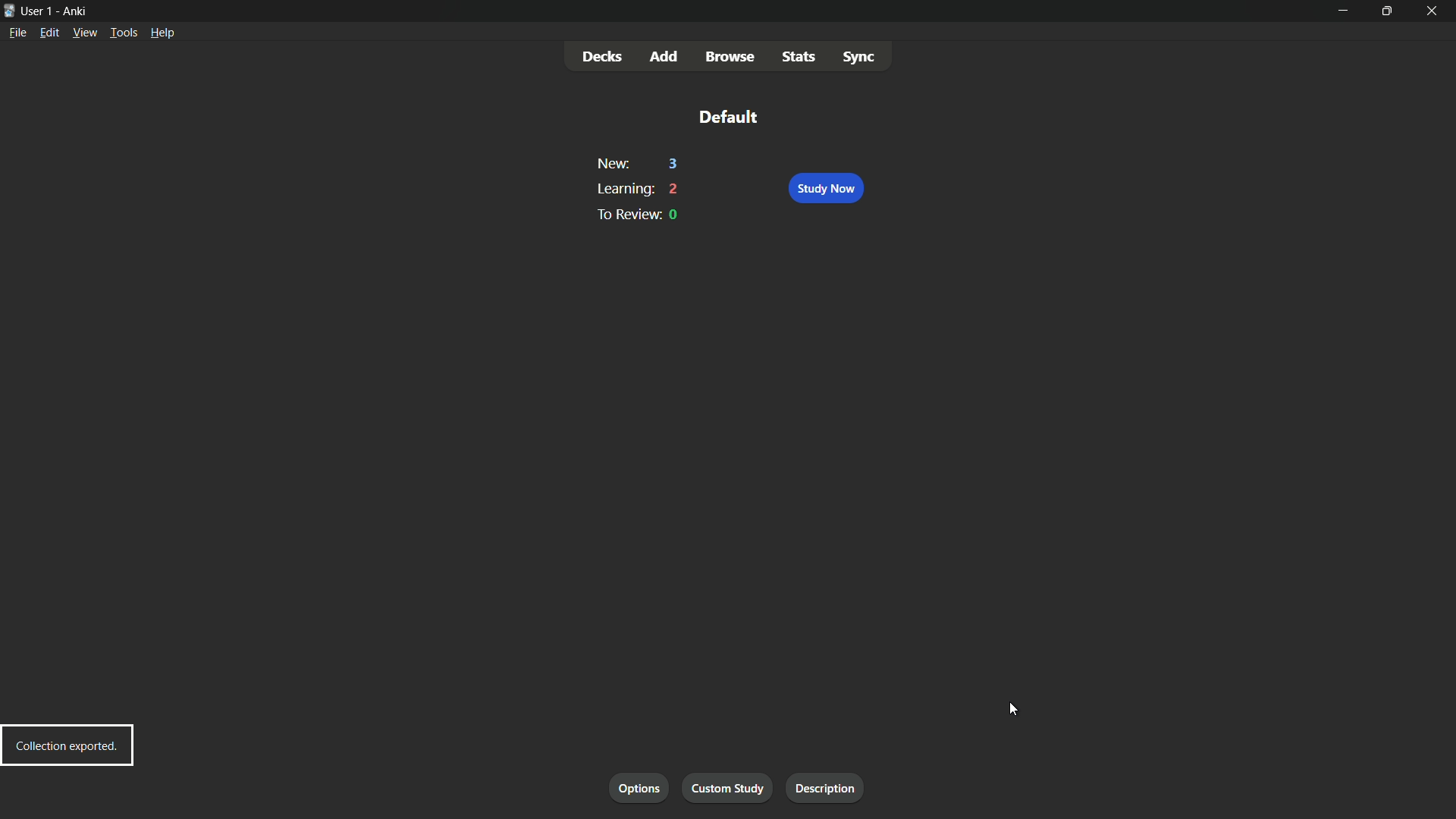 The height and width of the screenshot is (819, 1456). What do you see at coordinates (640, 789) in the screenshot?
I see `get started` at bounding box center [640, 789].